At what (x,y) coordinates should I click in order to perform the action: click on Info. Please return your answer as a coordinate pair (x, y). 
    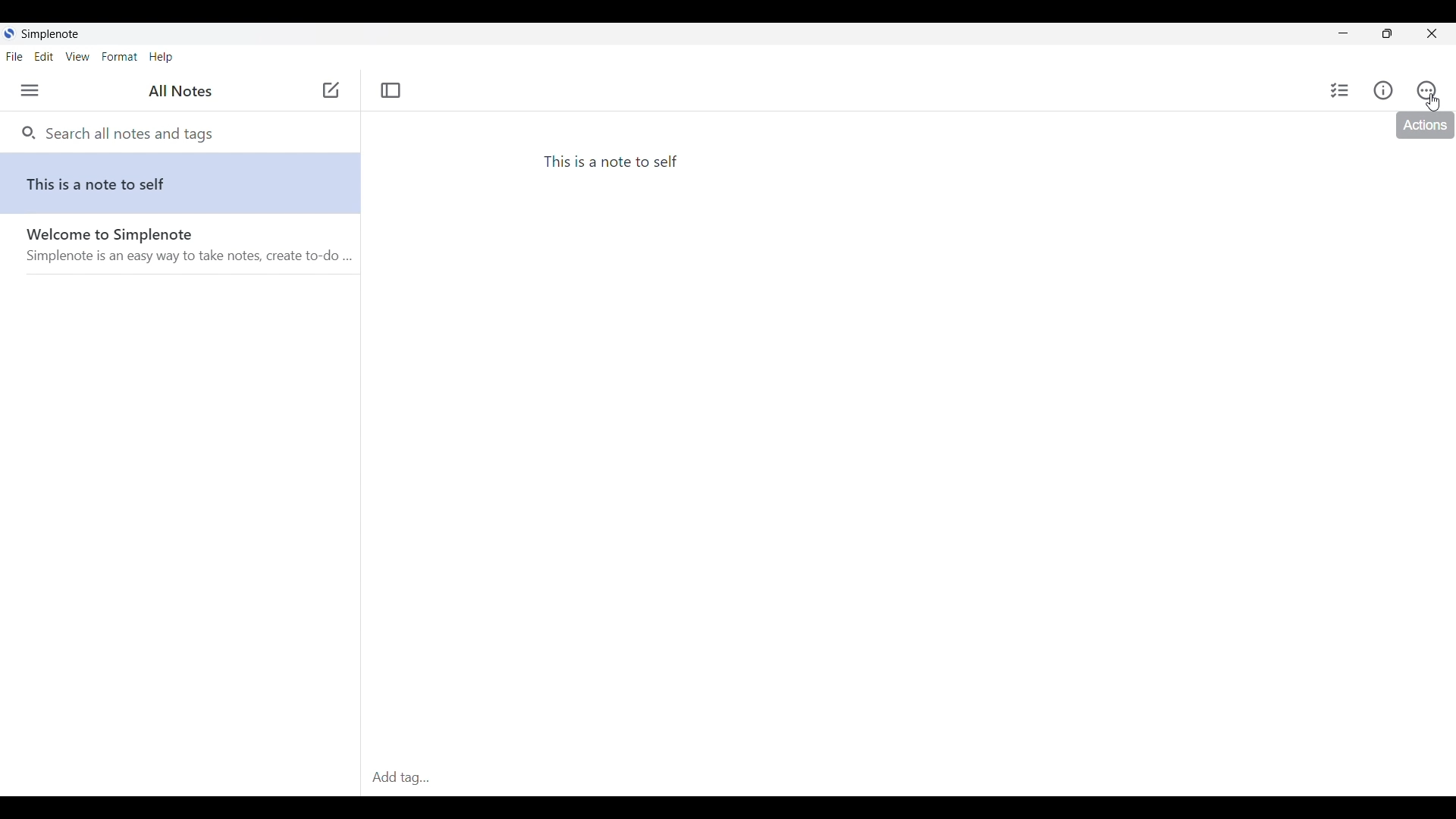
    Looking at the image, I should click on (1383, 90).